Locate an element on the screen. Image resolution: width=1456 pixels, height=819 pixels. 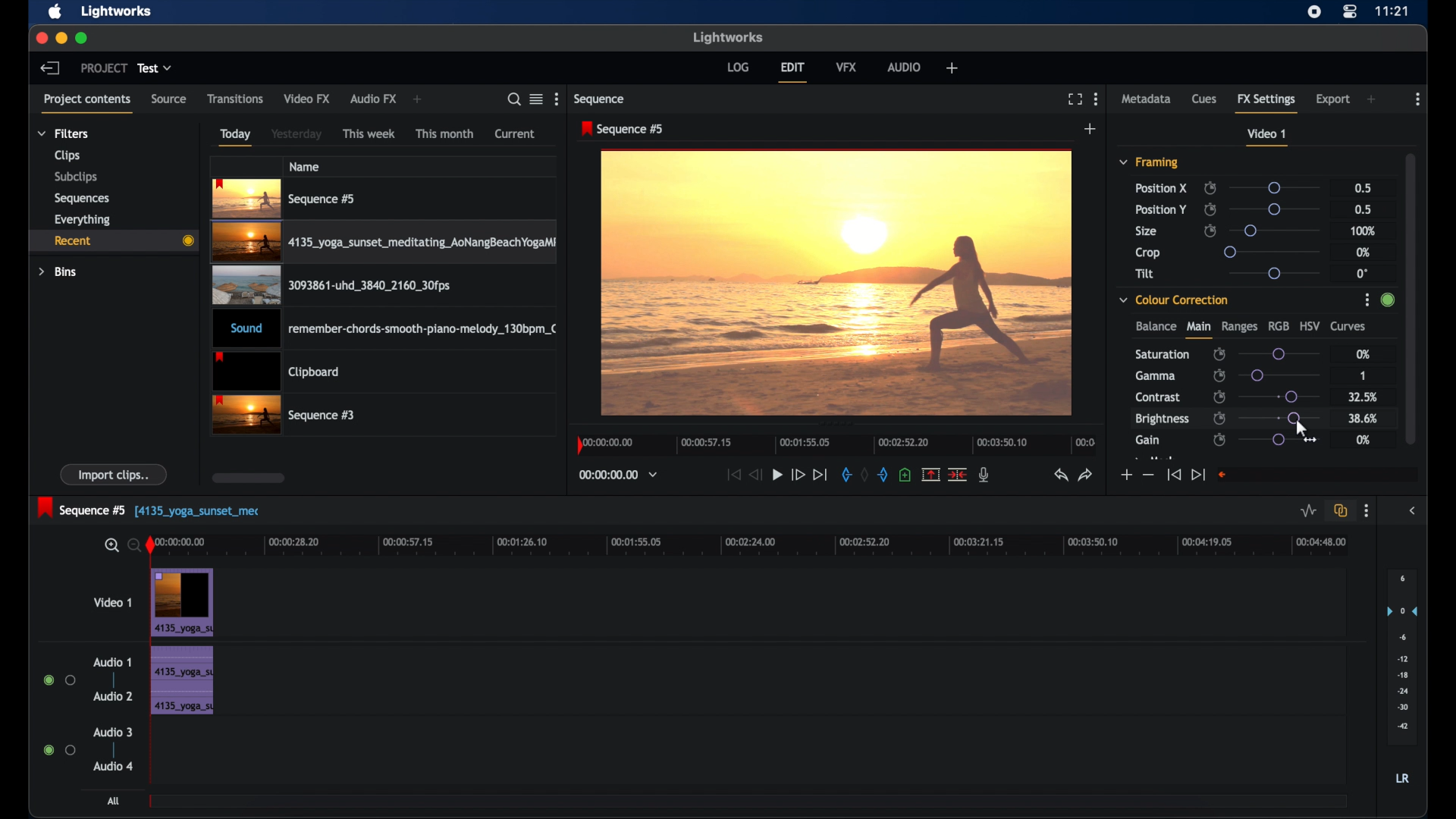
saturation is located at coordinates (1162, 354).